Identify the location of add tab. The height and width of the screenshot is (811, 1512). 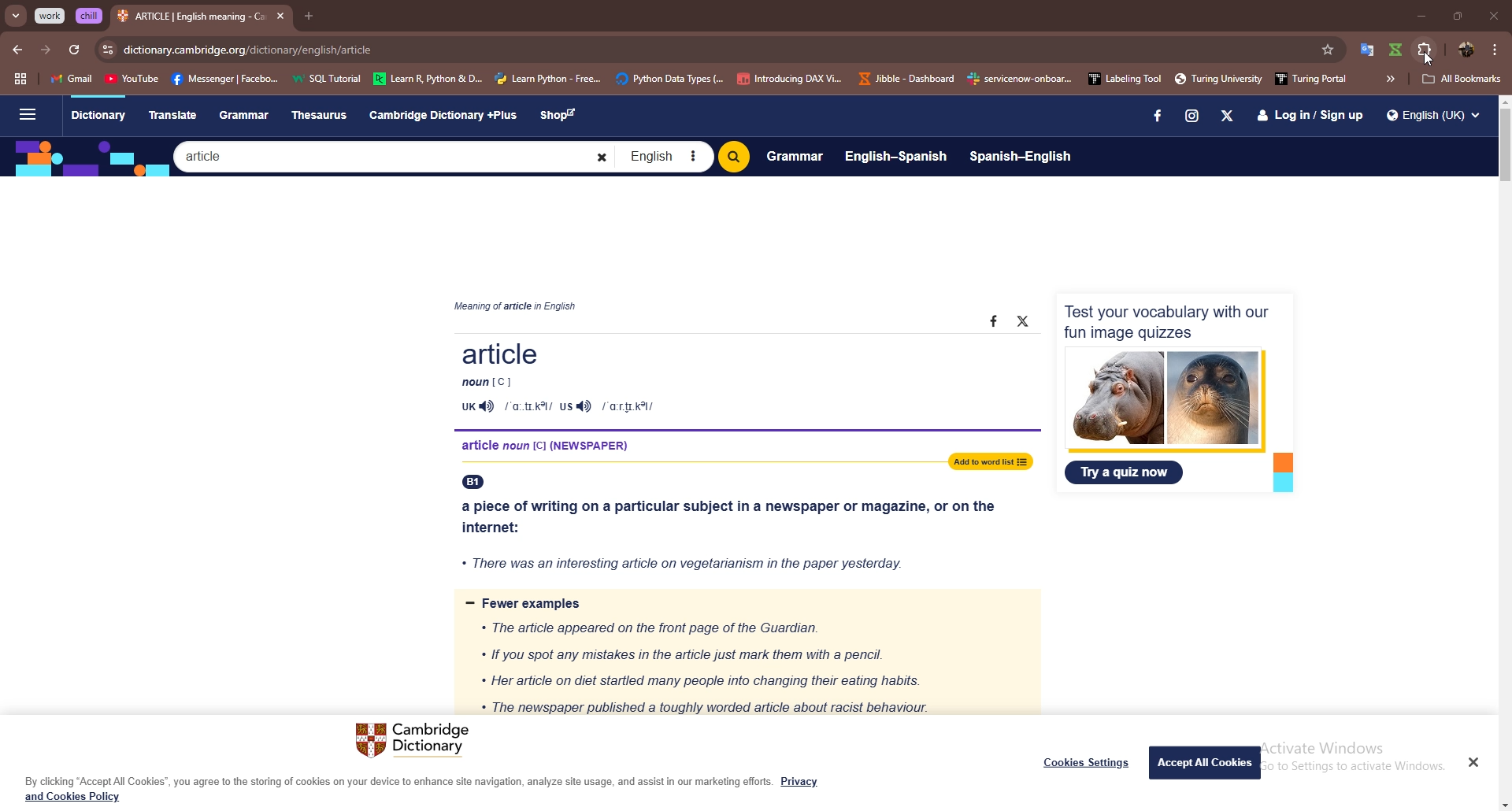
(308, 16).